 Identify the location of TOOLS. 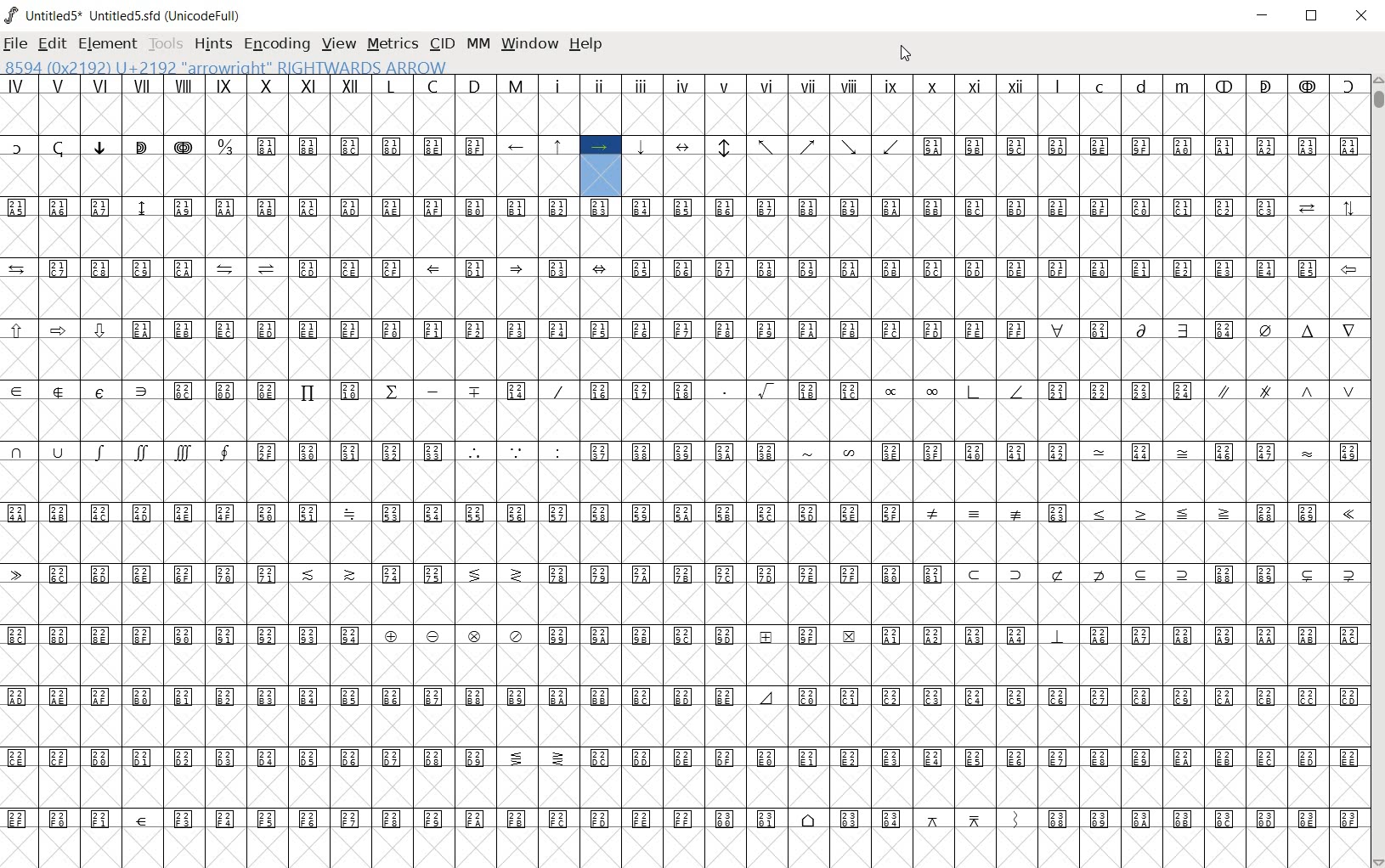
(166, 44).